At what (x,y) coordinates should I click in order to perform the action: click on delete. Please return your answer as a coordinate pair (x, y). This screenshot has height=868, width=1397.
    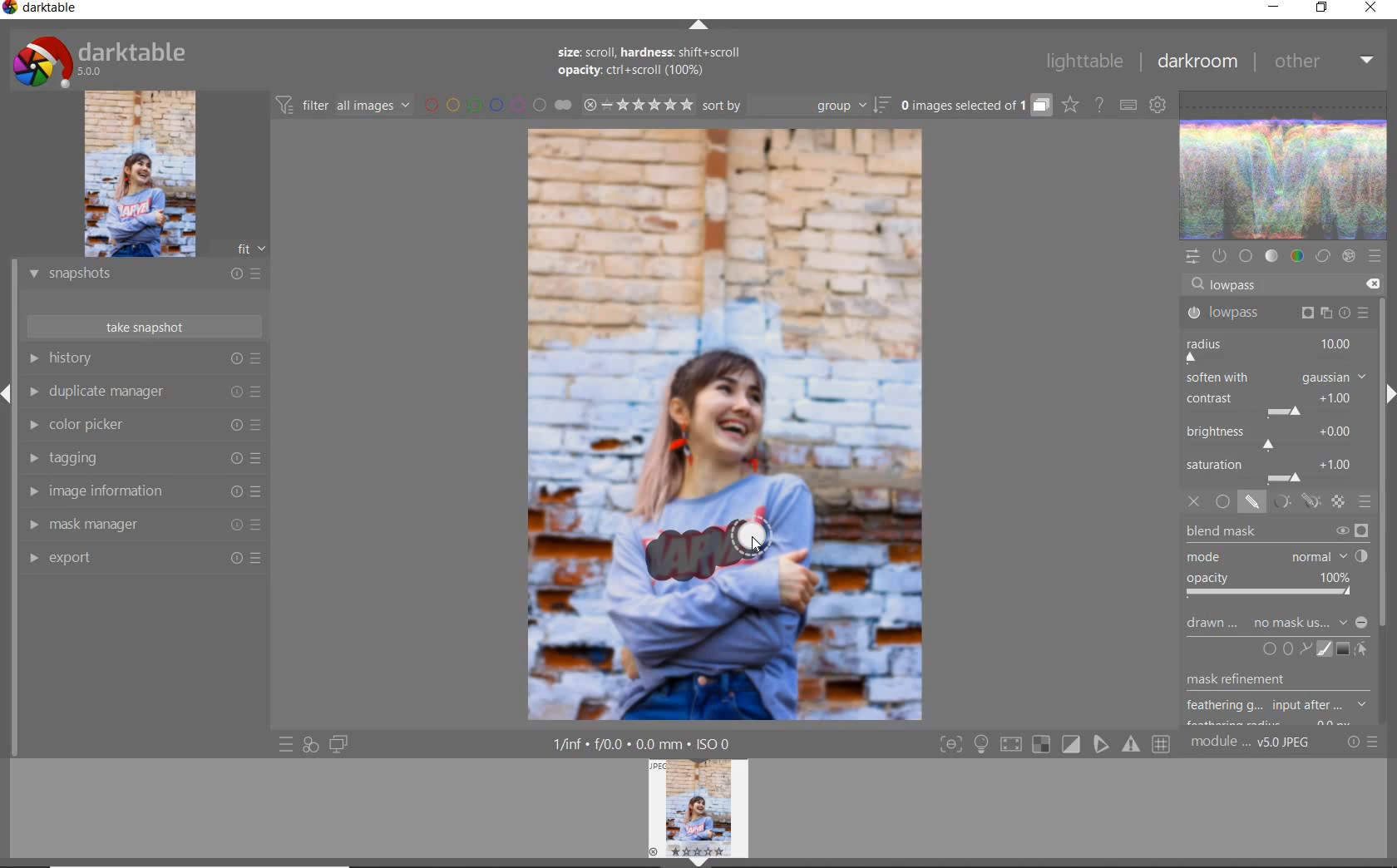
    Looking at the image, I should click on (1370, 283).